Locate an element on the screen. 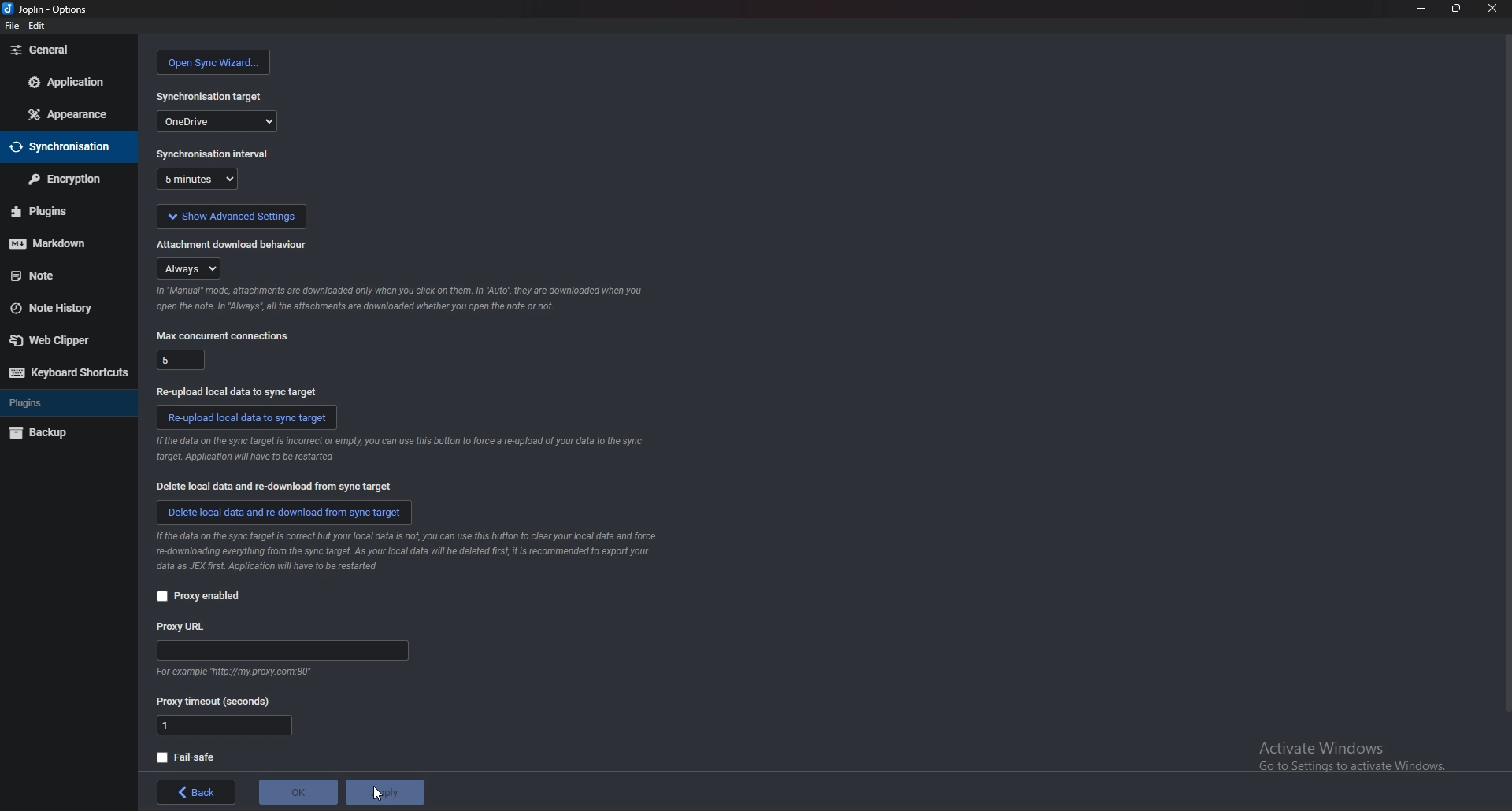  backup is located at coordinates (64, 431).